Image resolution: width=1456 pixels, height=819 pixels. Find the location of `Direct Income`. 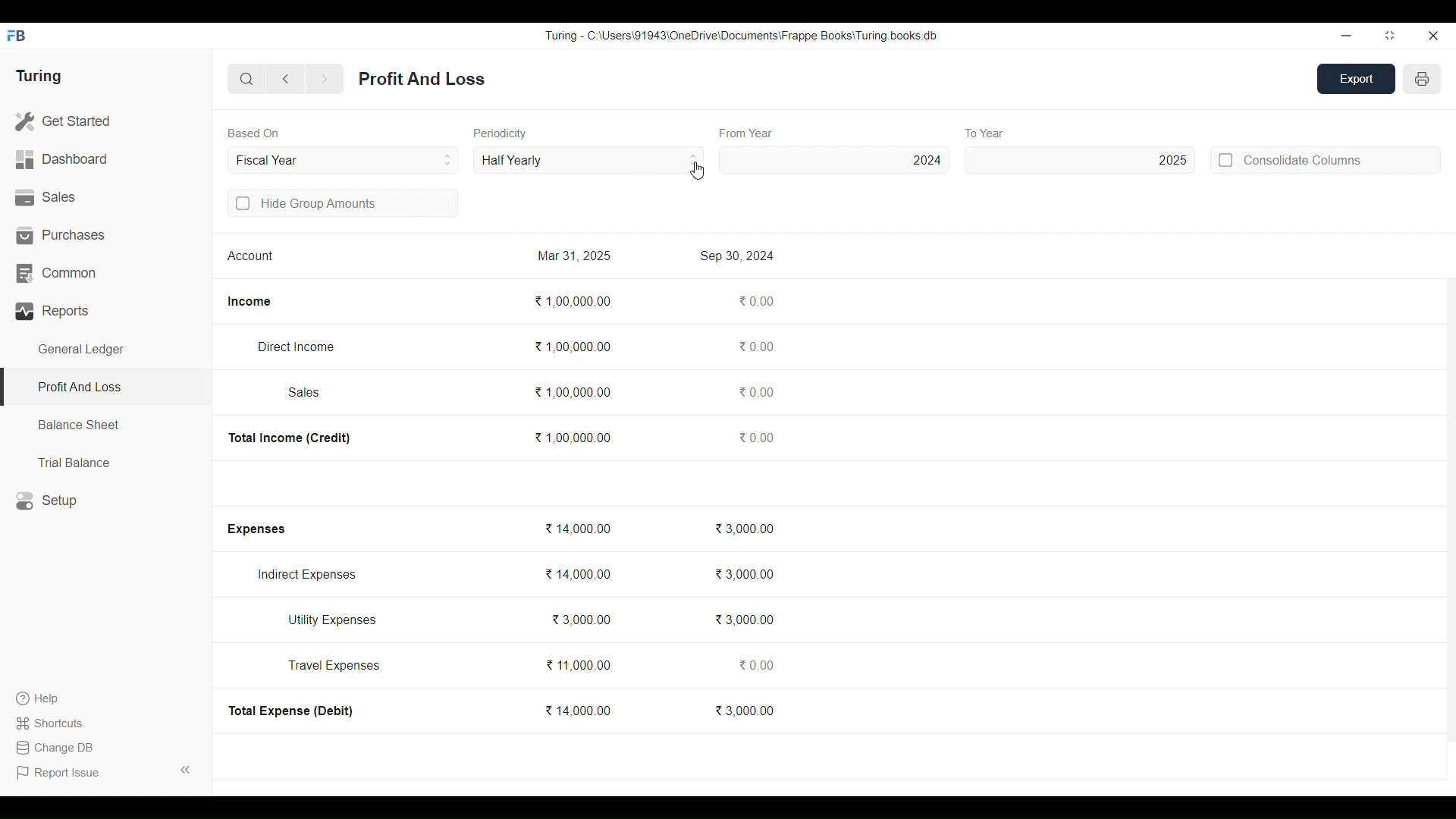

Direct Income is located at coordinates (295, 347).